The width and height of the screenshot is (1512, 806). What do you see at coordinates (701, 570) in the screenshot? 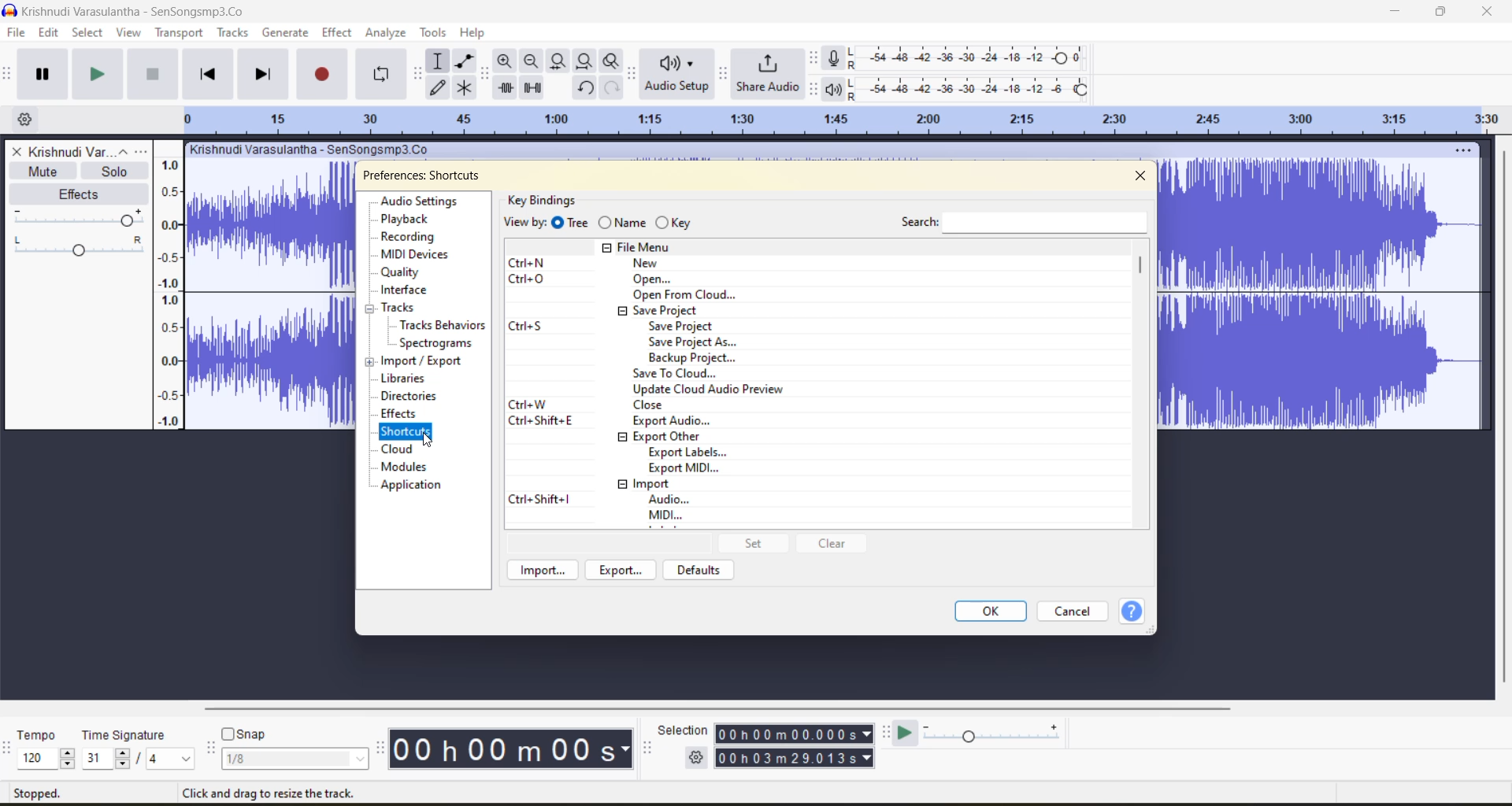
I see `defaults` at bounding box center [701, 570].